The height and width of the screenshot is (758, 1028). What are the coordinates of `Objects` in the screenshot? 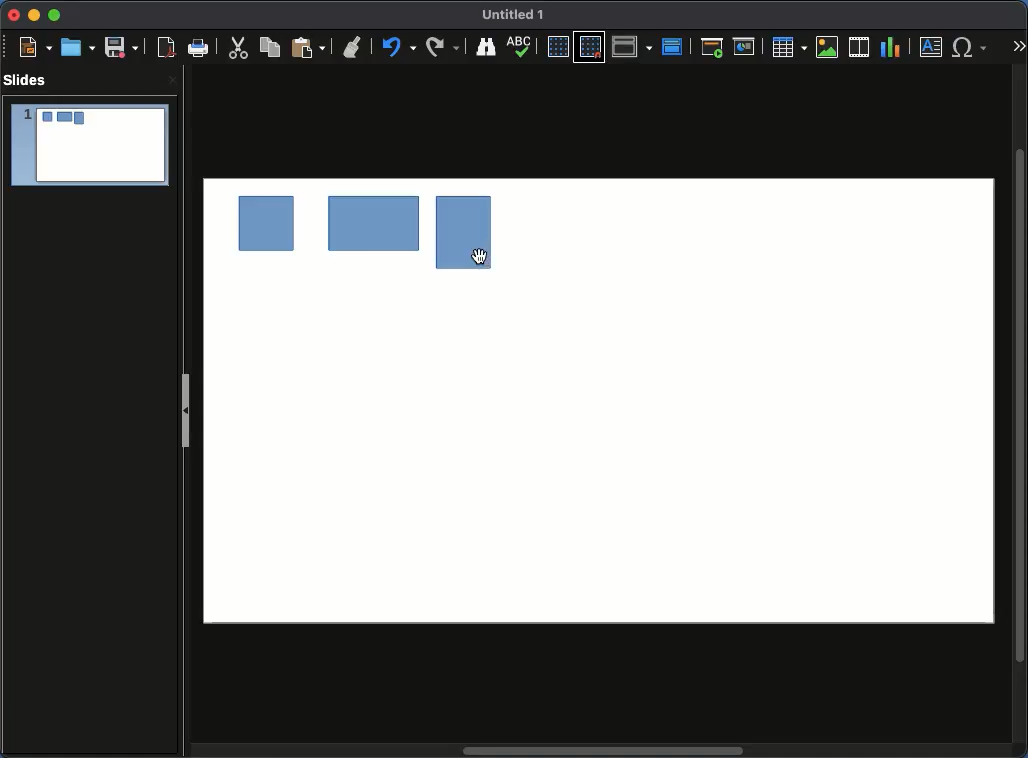 It's located at (351, 235).